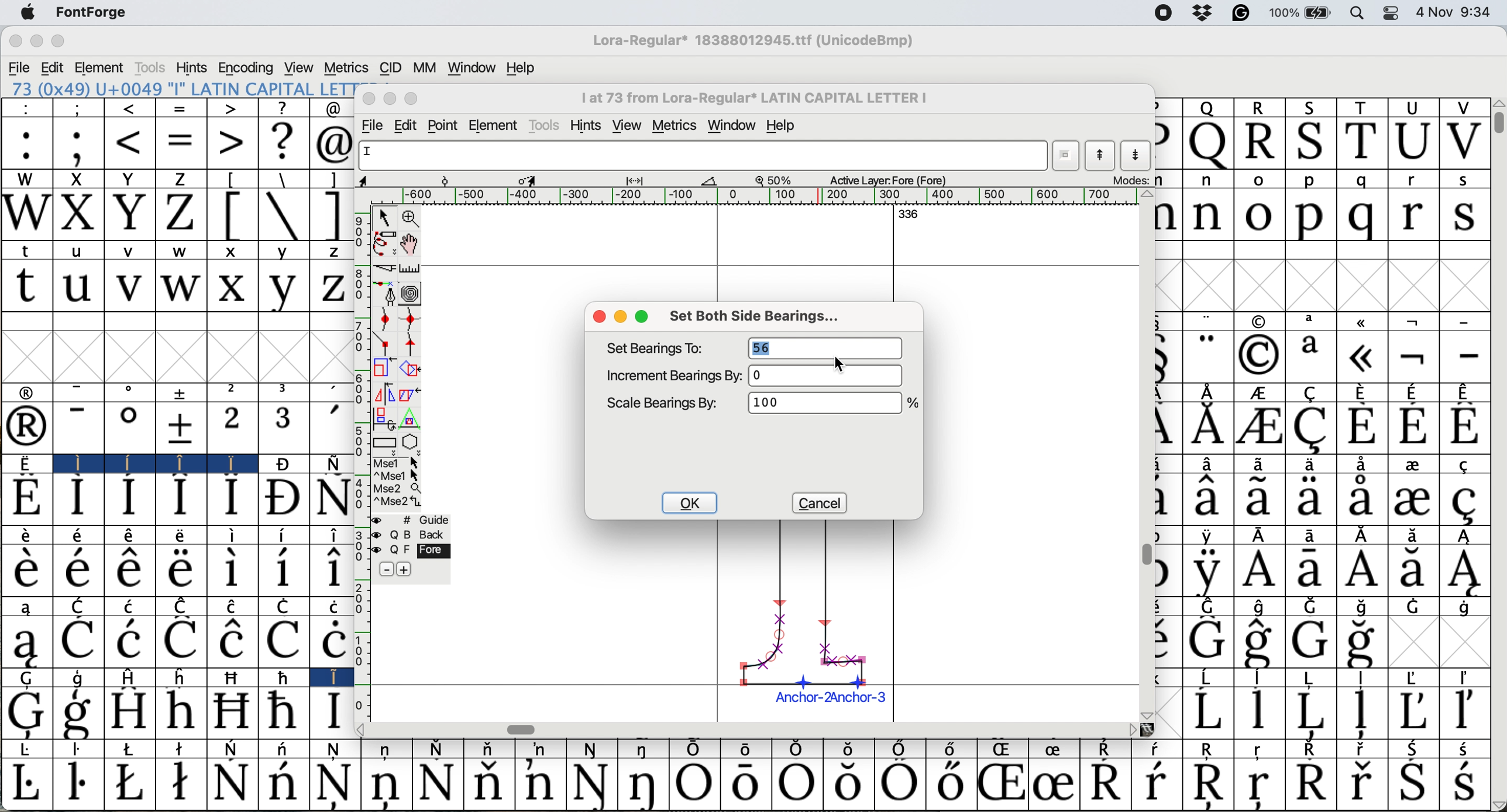 This screenshot has height=812, width=1507. What do you see at coordinates (1209, 391) in the screenshot?
I see `symbol` at bounding box center [1209, 391].